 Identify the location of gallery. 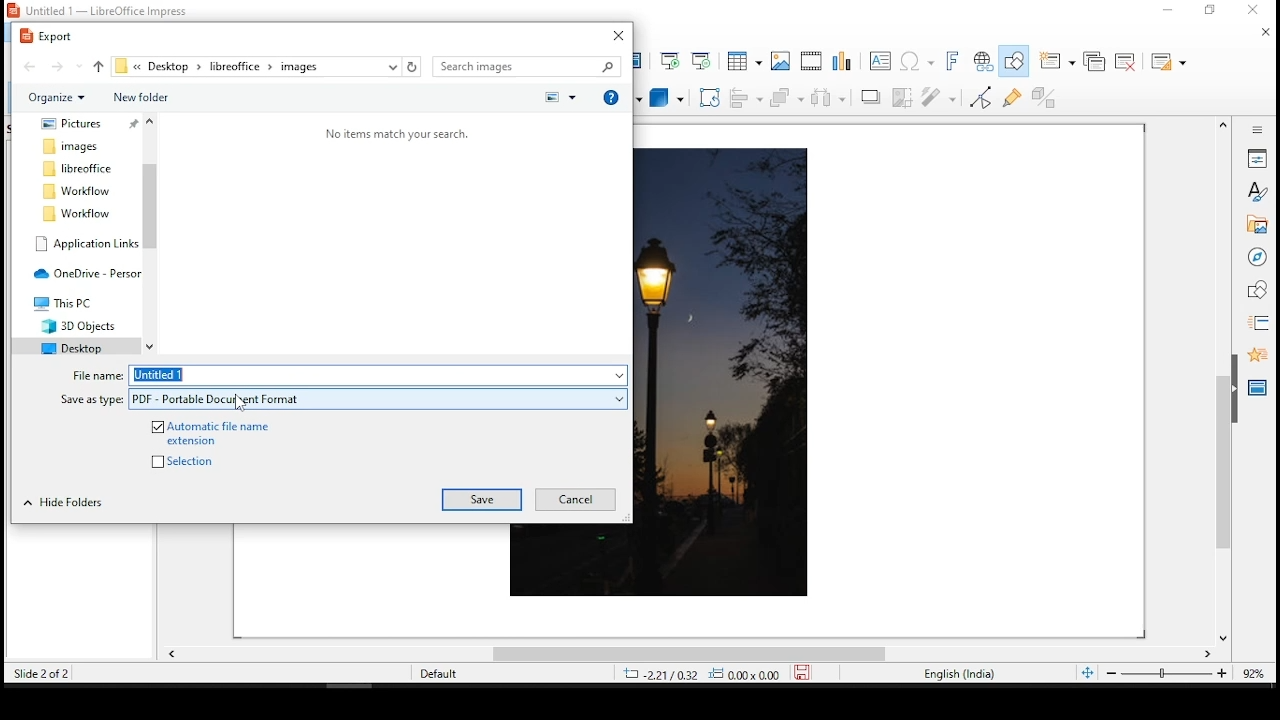
(1257, 225).